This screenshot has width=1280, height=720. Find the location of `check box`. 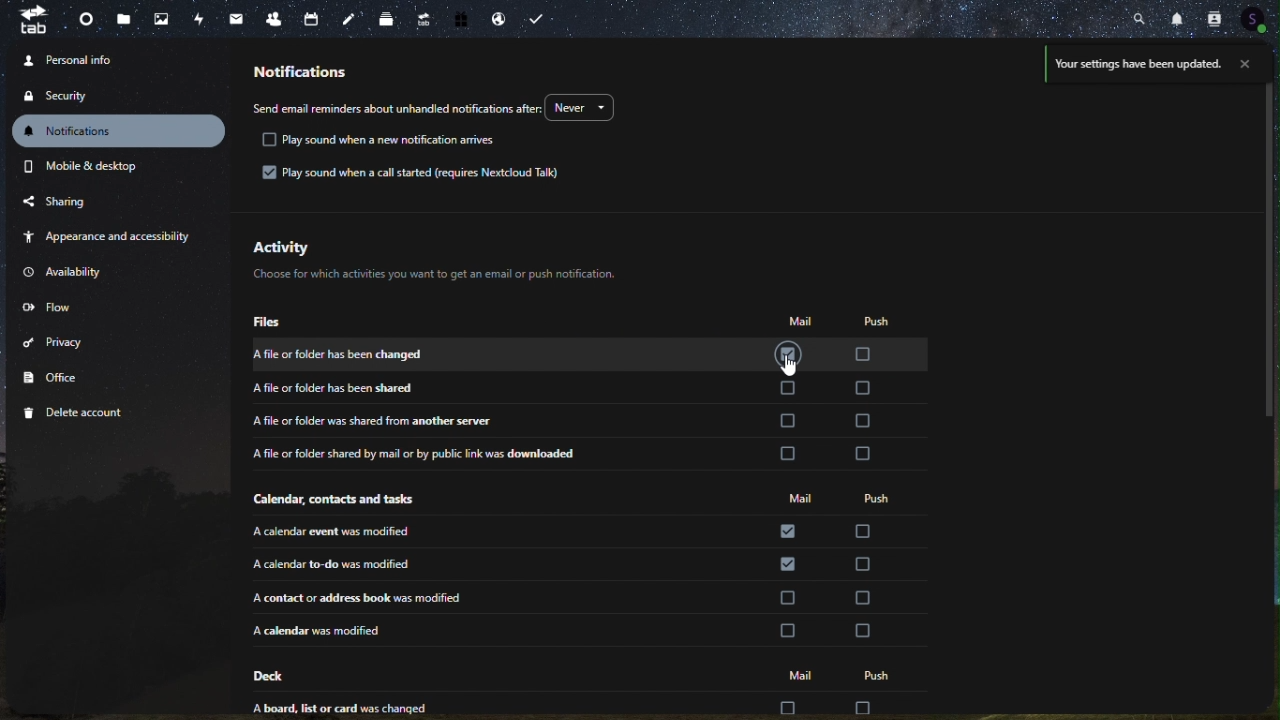

check box is located at coordinates (788, 597).